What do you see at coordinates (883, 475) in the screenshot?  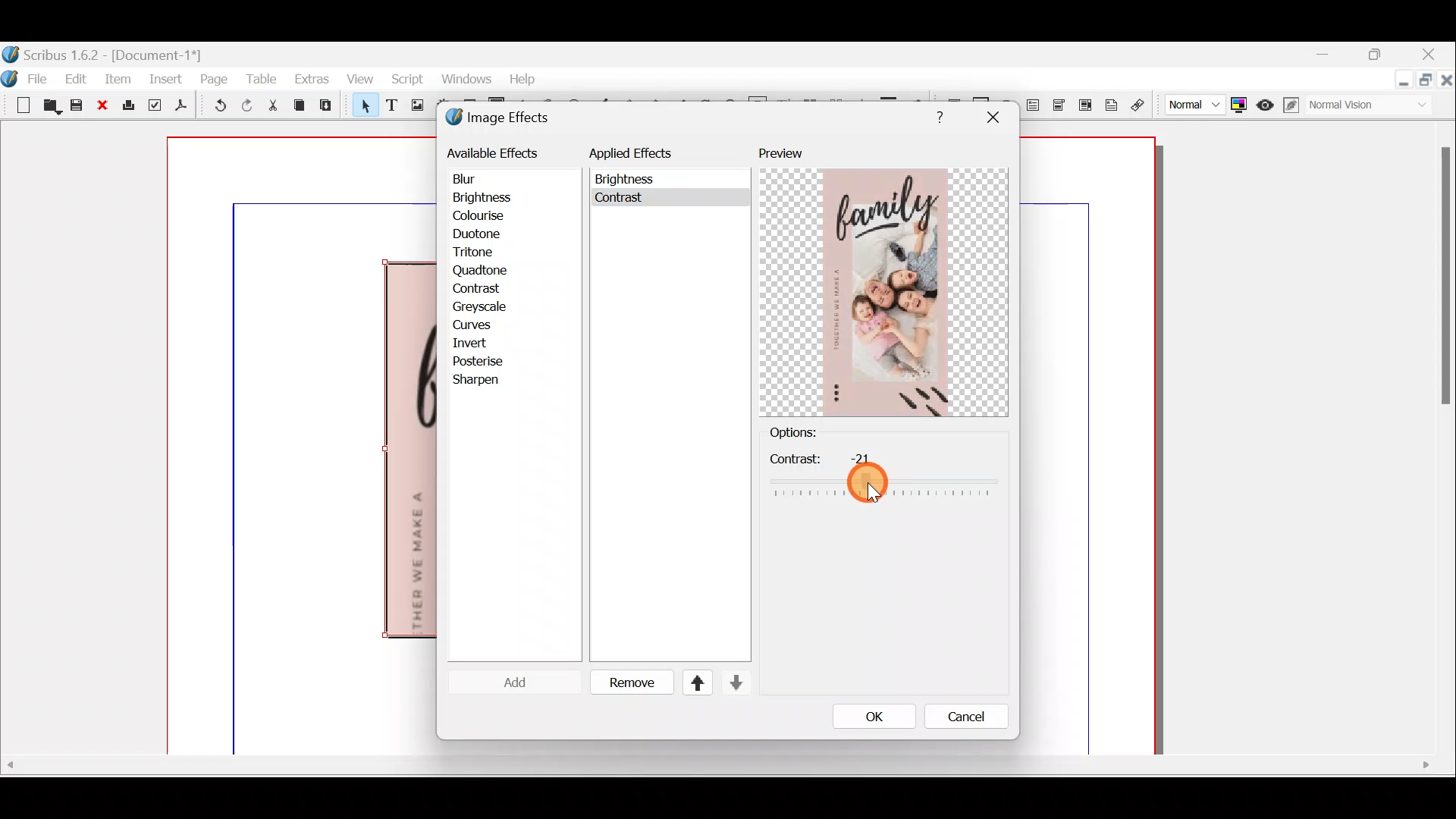 I see `contrast` at bounding box center [883, 475].